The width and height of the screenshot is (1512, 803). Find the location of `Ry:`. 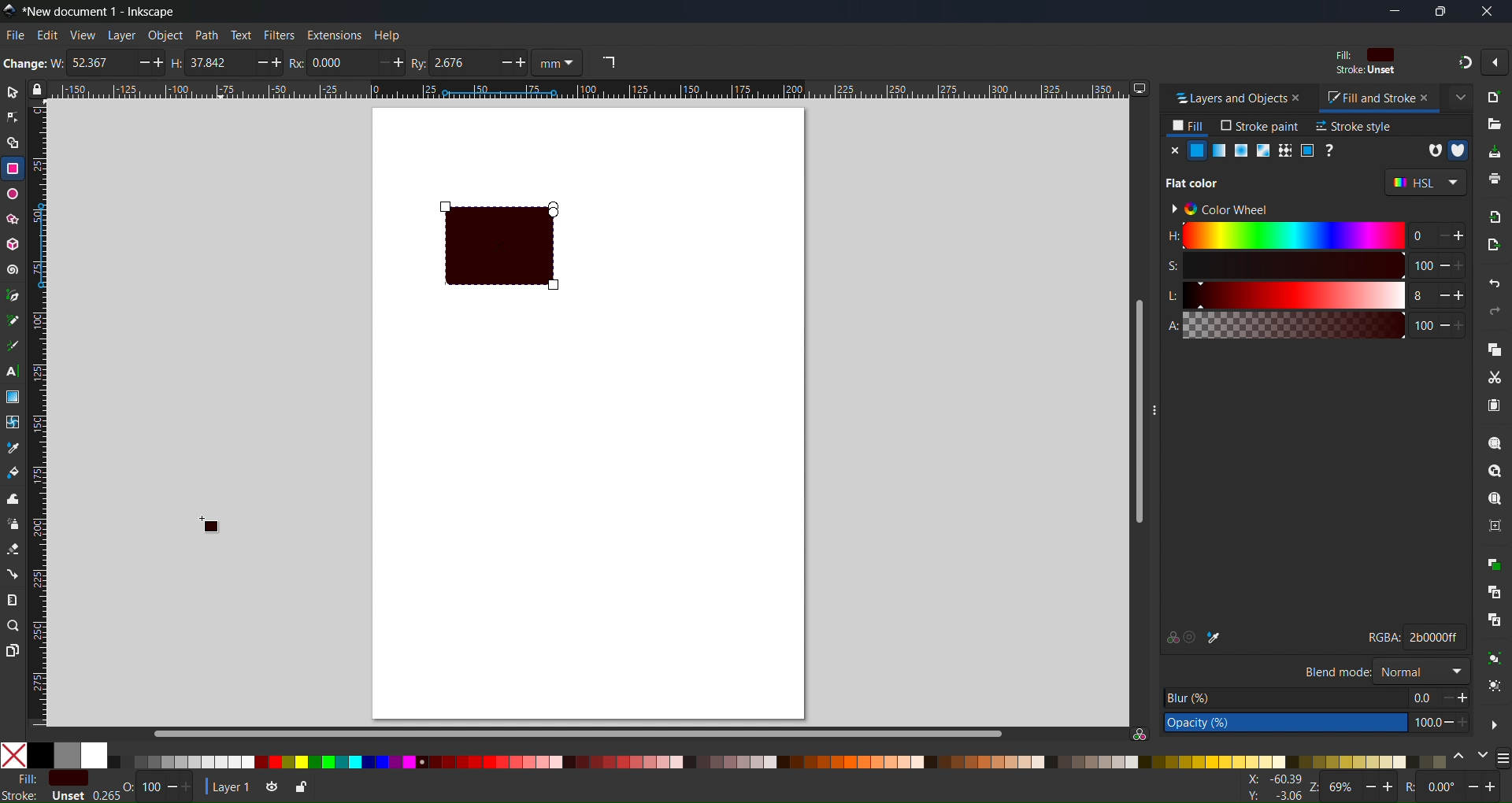

Ry: is located at coordinates (421, 62).